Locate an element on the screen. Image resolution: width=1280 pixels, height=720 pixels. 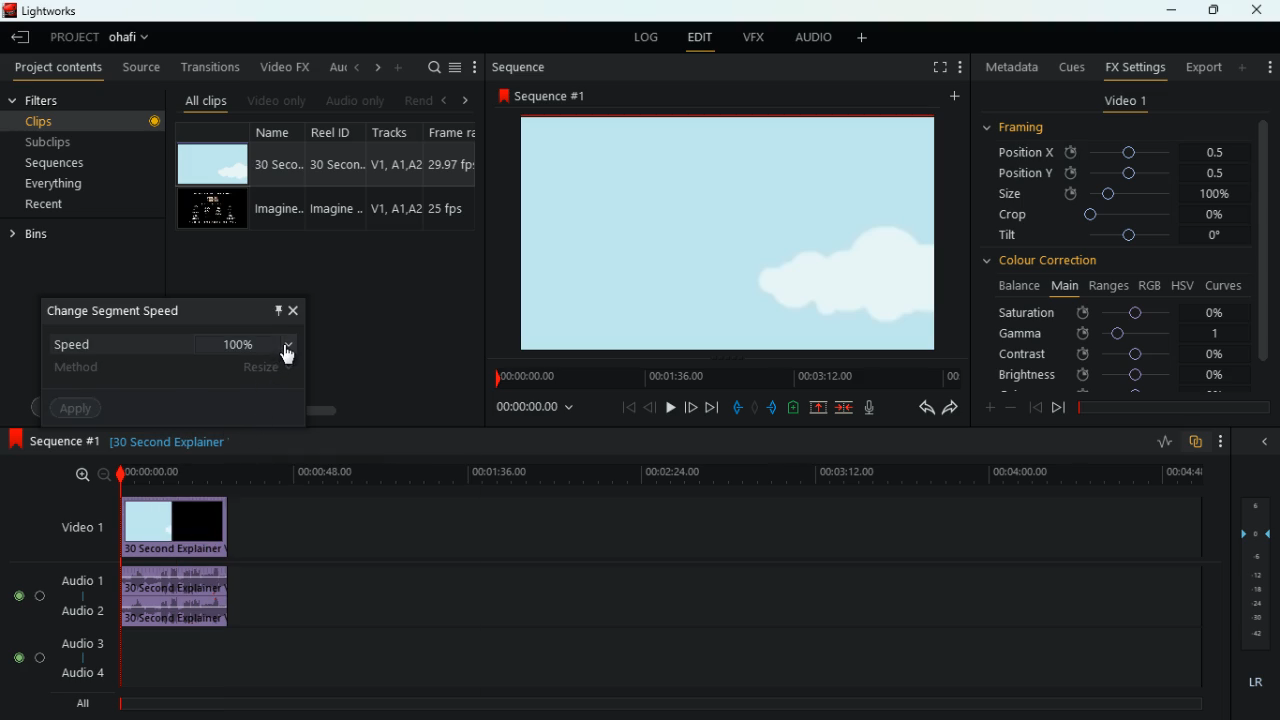
edit is located at coordinates (700, 37).